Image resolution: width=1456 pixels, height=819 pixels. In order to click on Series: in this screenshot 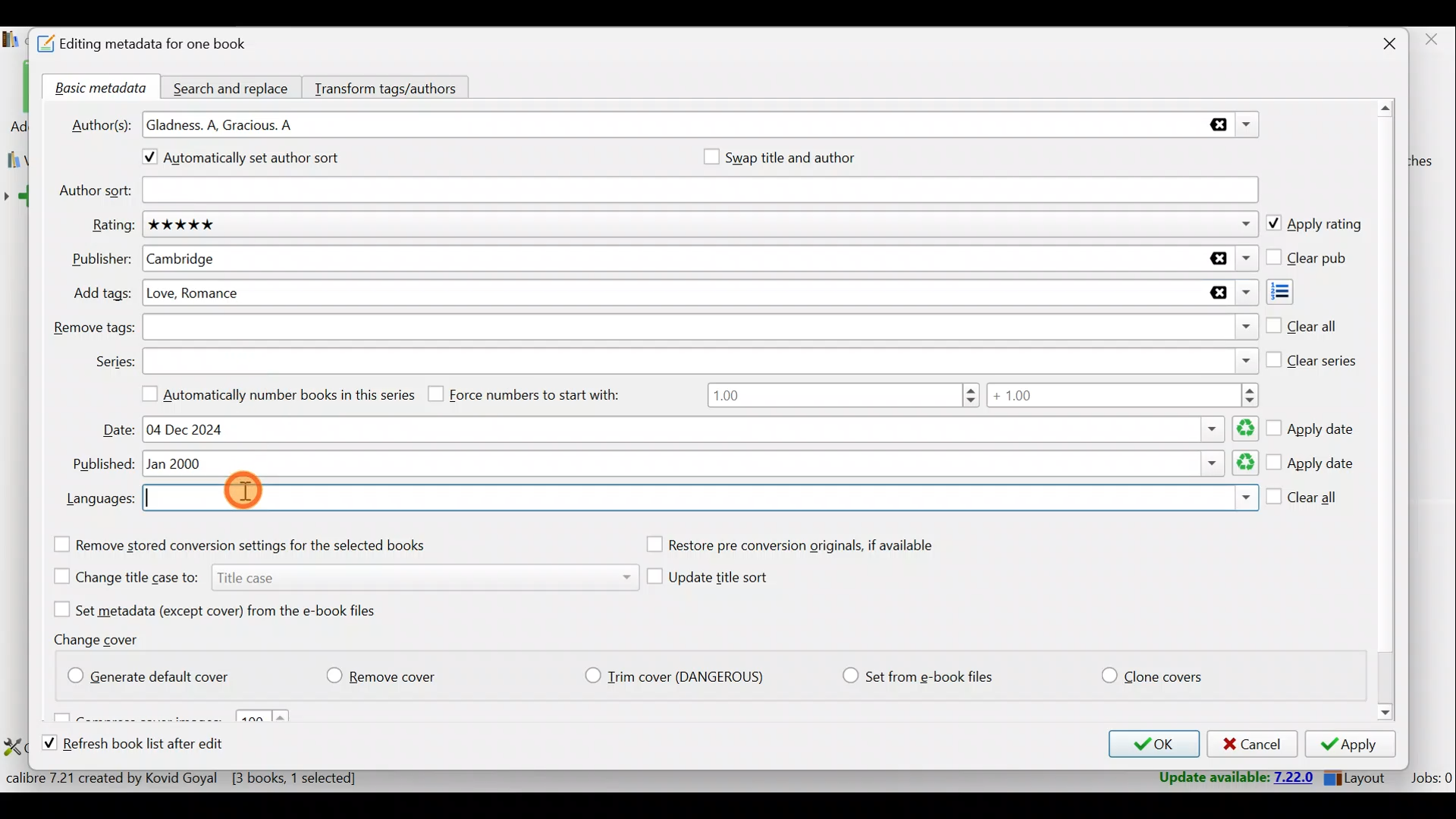, I will do `click(114, 362)`.